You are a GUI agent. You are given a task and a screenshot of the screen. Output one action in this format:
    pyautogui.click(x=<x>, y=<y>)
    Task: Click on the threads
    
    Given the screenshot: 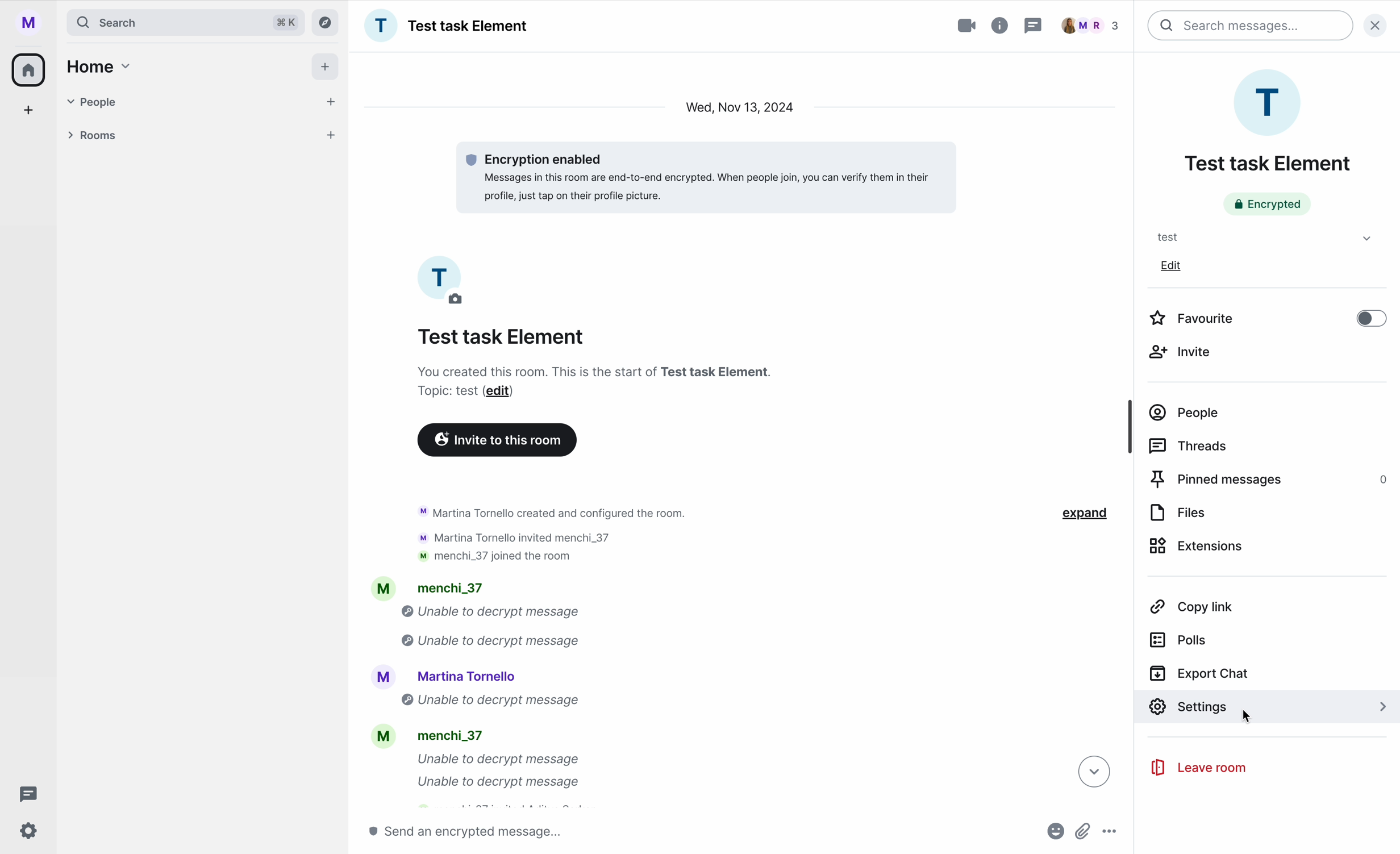 What is the action you would take?
    pyautogui.click(x=1191, y=445)
    